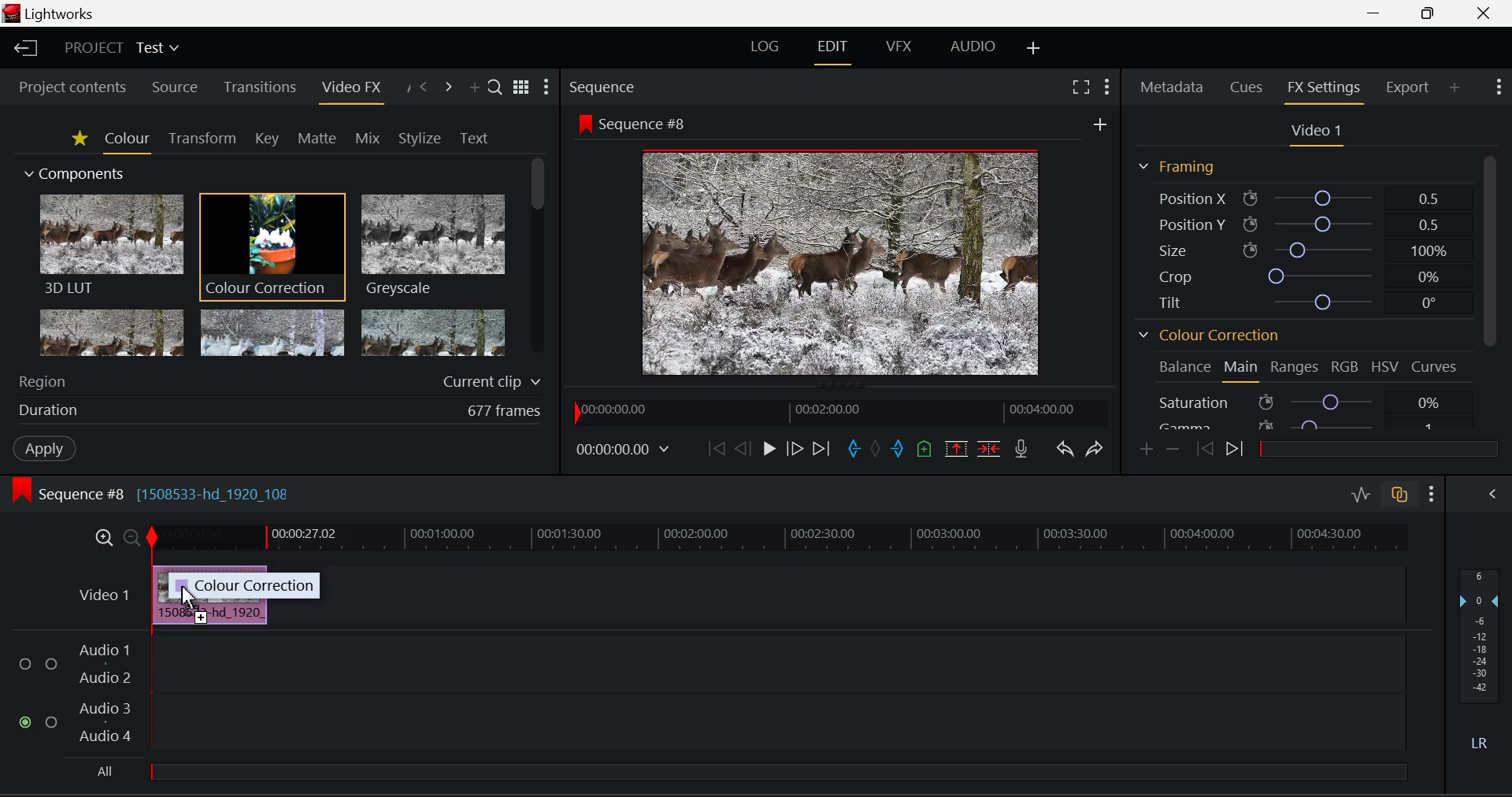 The image size is (1512, 797). What do you see at coordinates (967, 48) in the screenshot?
I see `AUDIO Layout` at bounding box center [967, 48].